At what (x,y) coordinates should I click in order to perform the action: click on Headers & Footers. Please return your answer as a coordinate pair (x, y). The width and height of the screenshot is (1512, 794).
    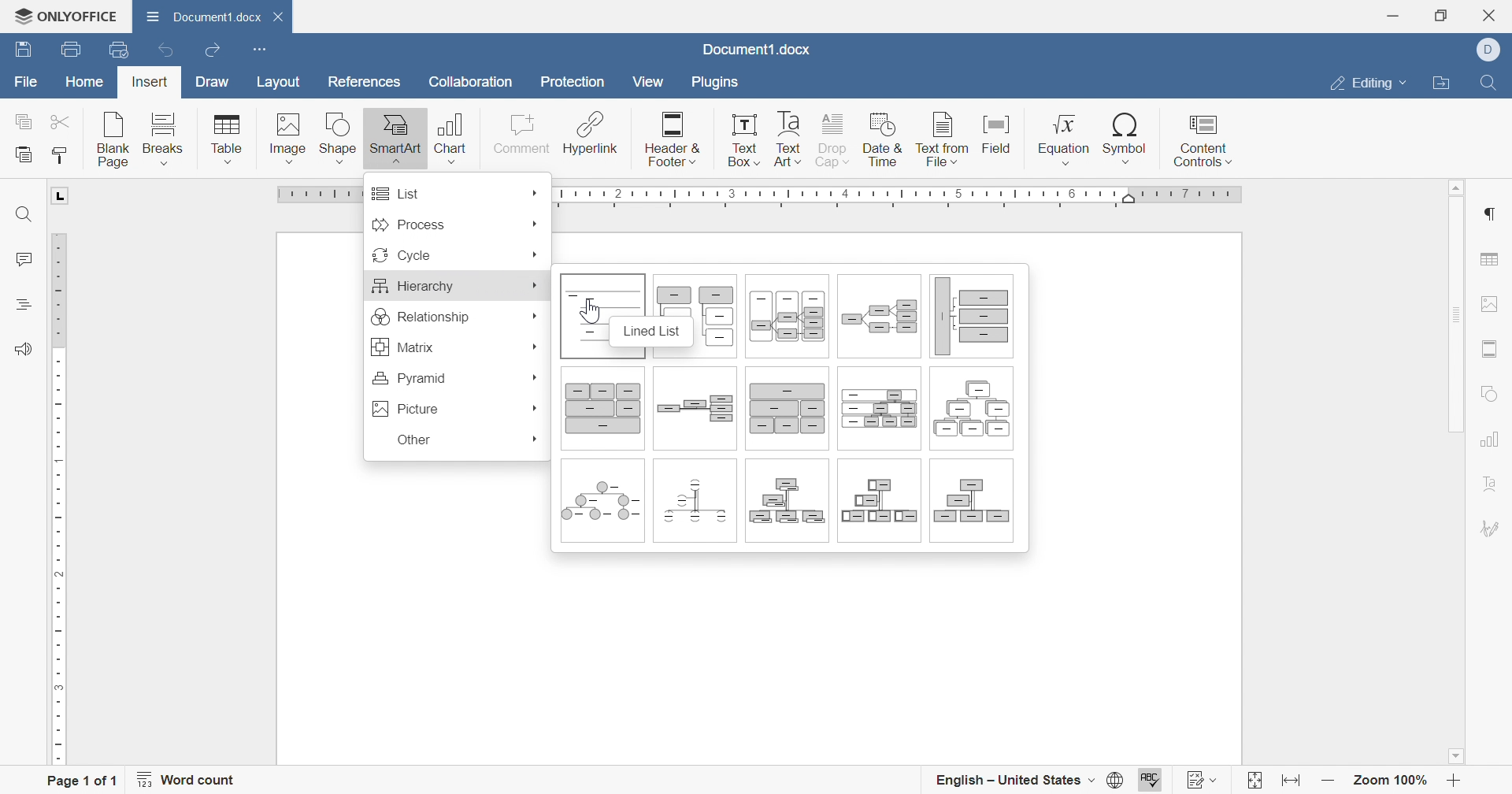
    Looking at the image, I should click on (1491, 349).